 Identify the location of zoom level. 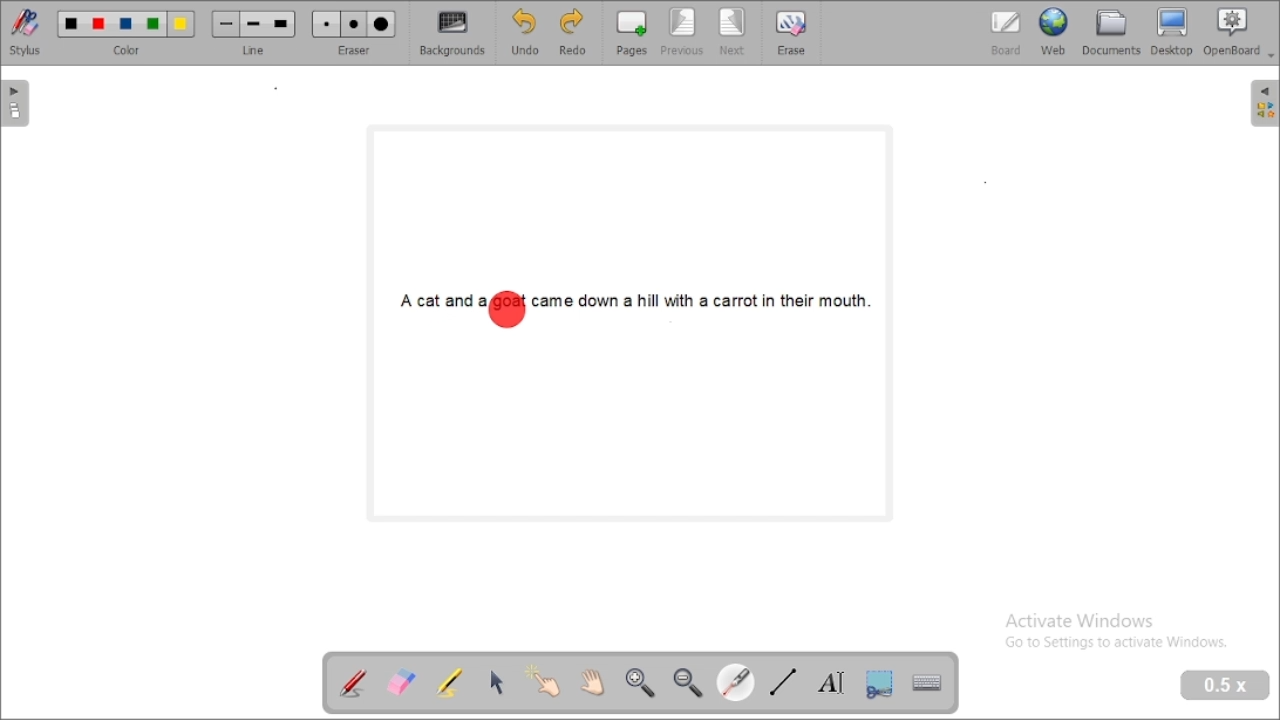
(1226, 686).